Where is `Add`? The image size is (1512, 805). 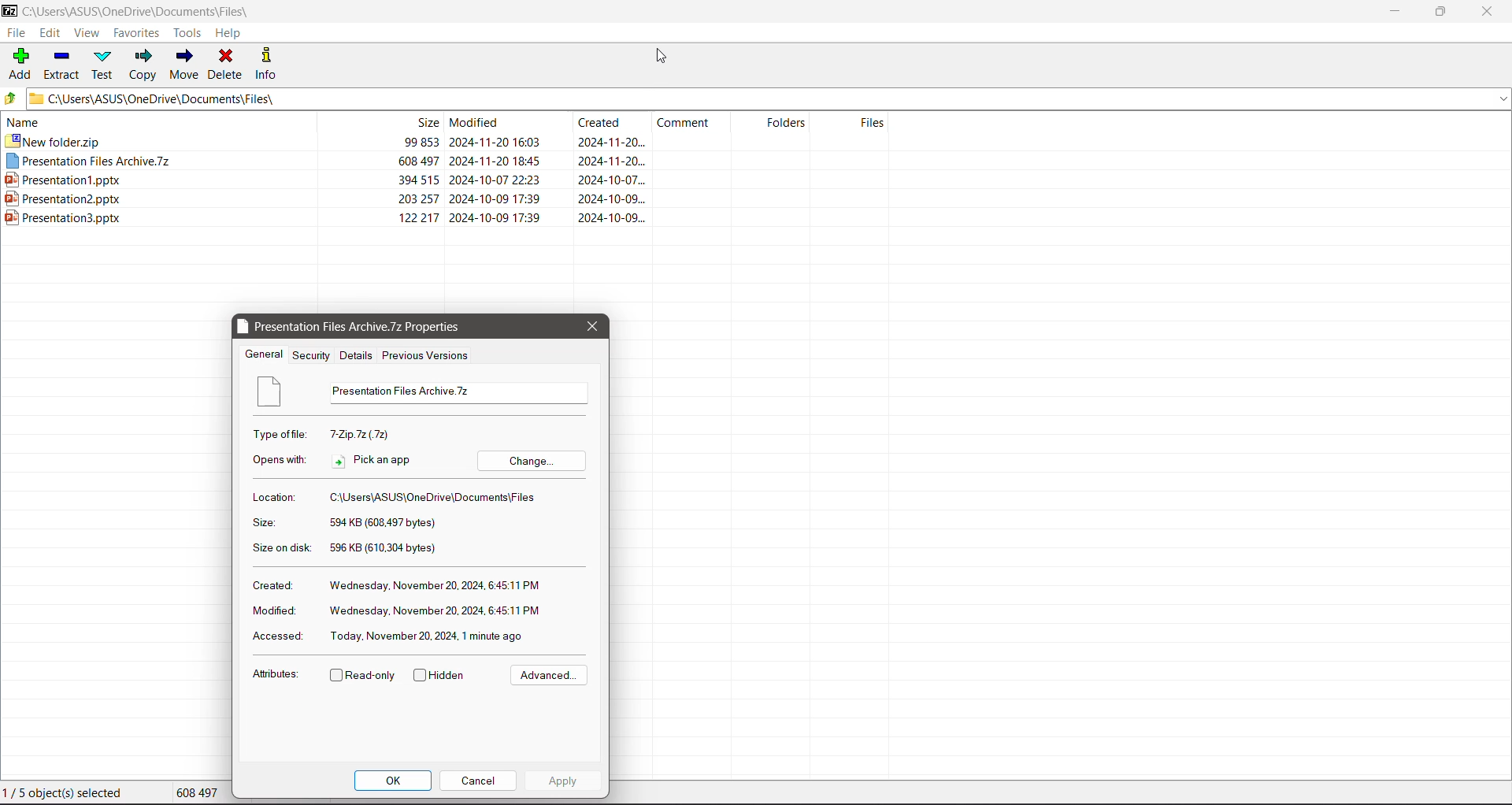 Add is located at coordinates (18, 63).